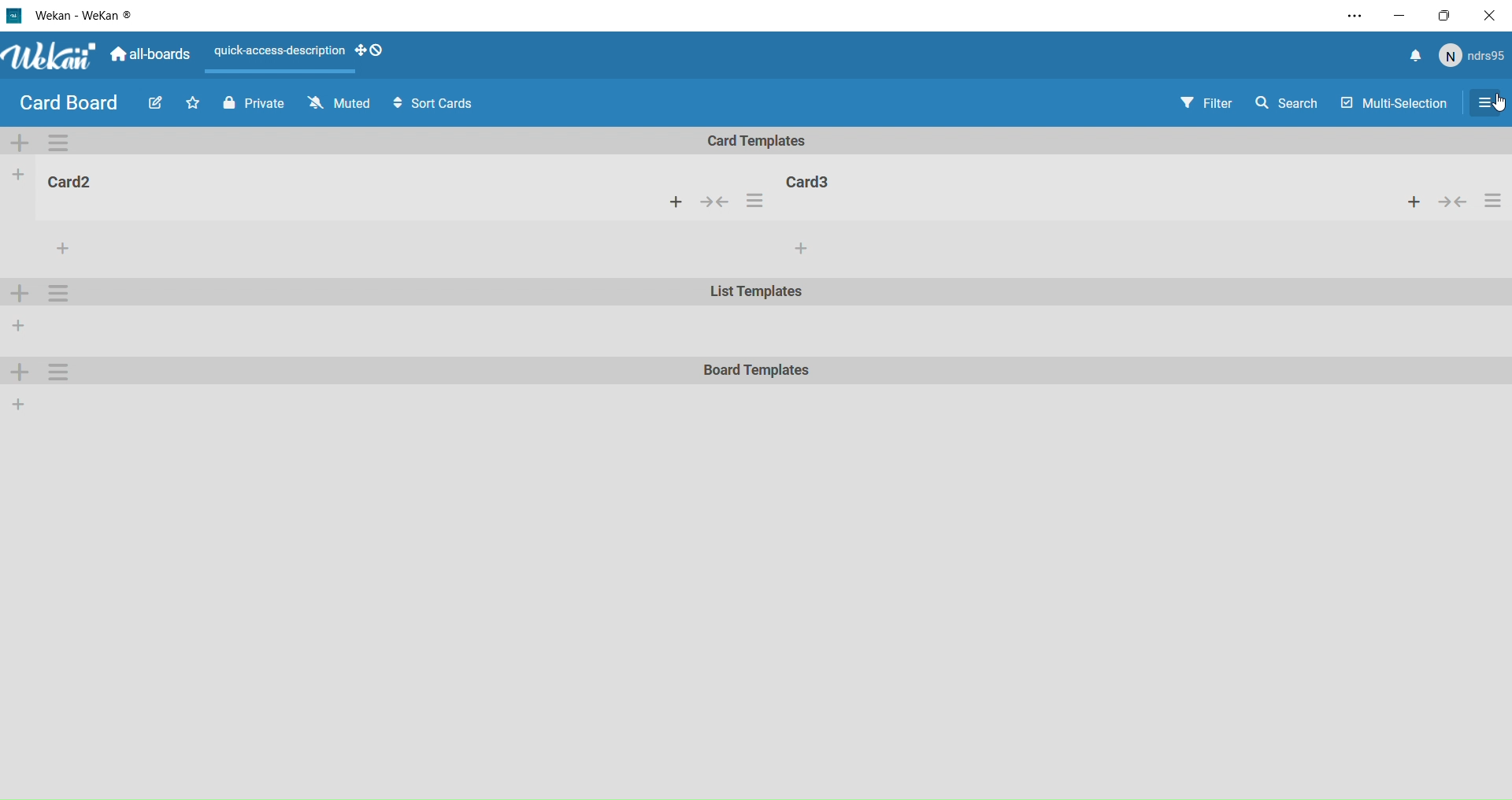 This screenshot has height=800, width=1512. I want to click on actions, so click(754, 203).